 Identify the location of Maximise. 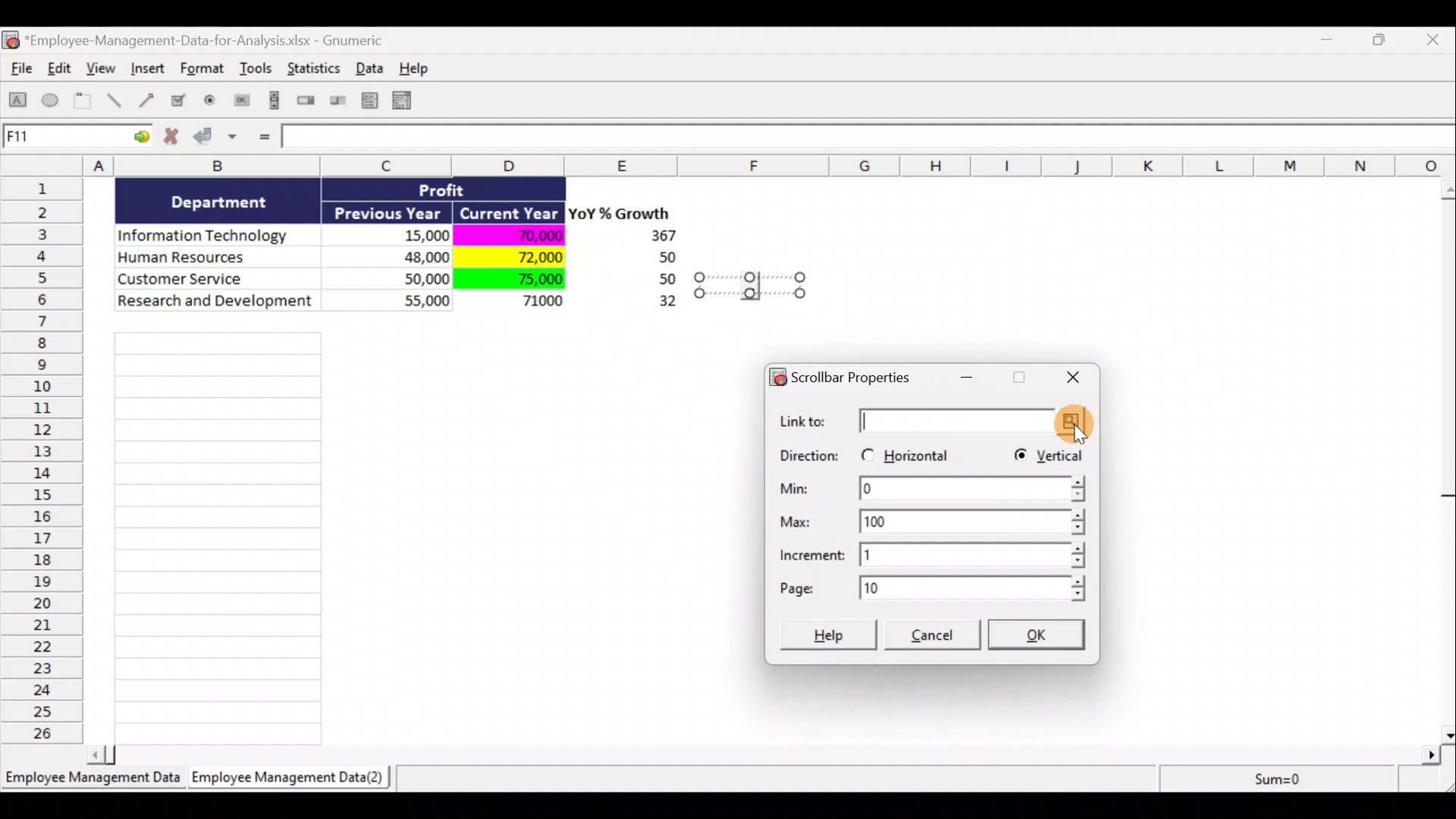
(1387, 38).